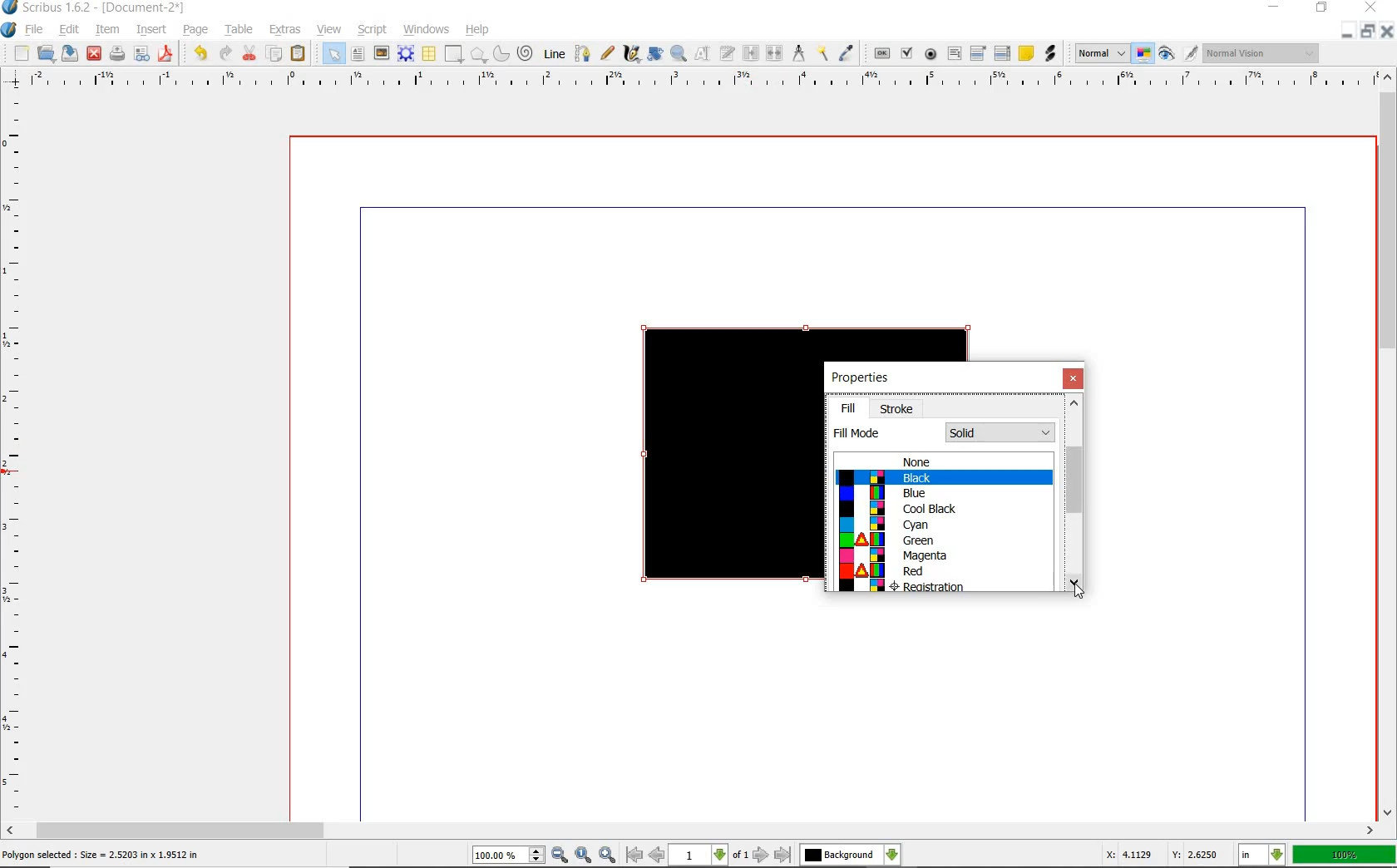  What do you see at coordinates (423, 29) in the screenshot?
I see `windows` at bounding box center [423, 29].